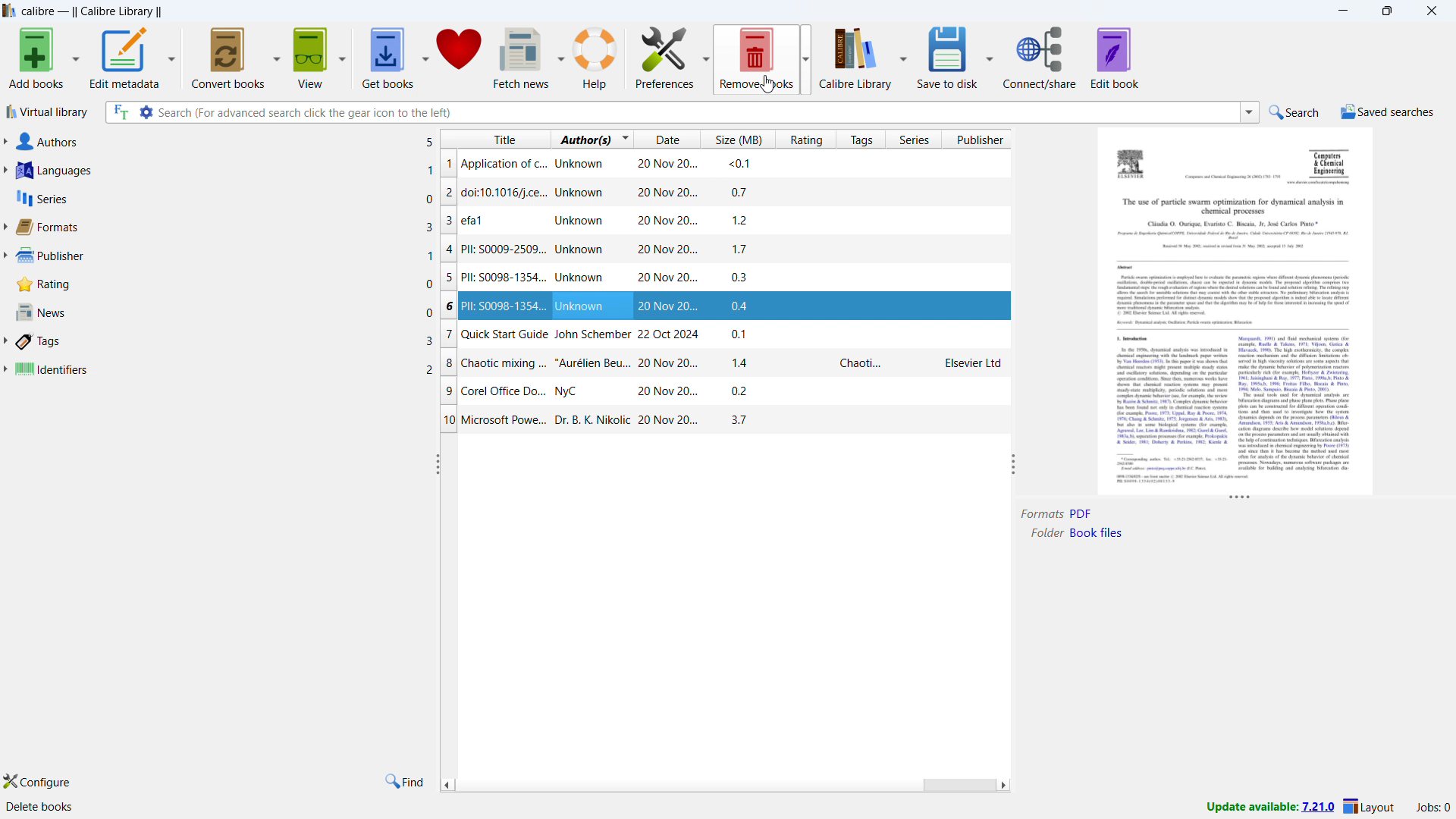  Describe the element at coordinates (1388, 10) in the screenshot. I see `maximize` at that location.